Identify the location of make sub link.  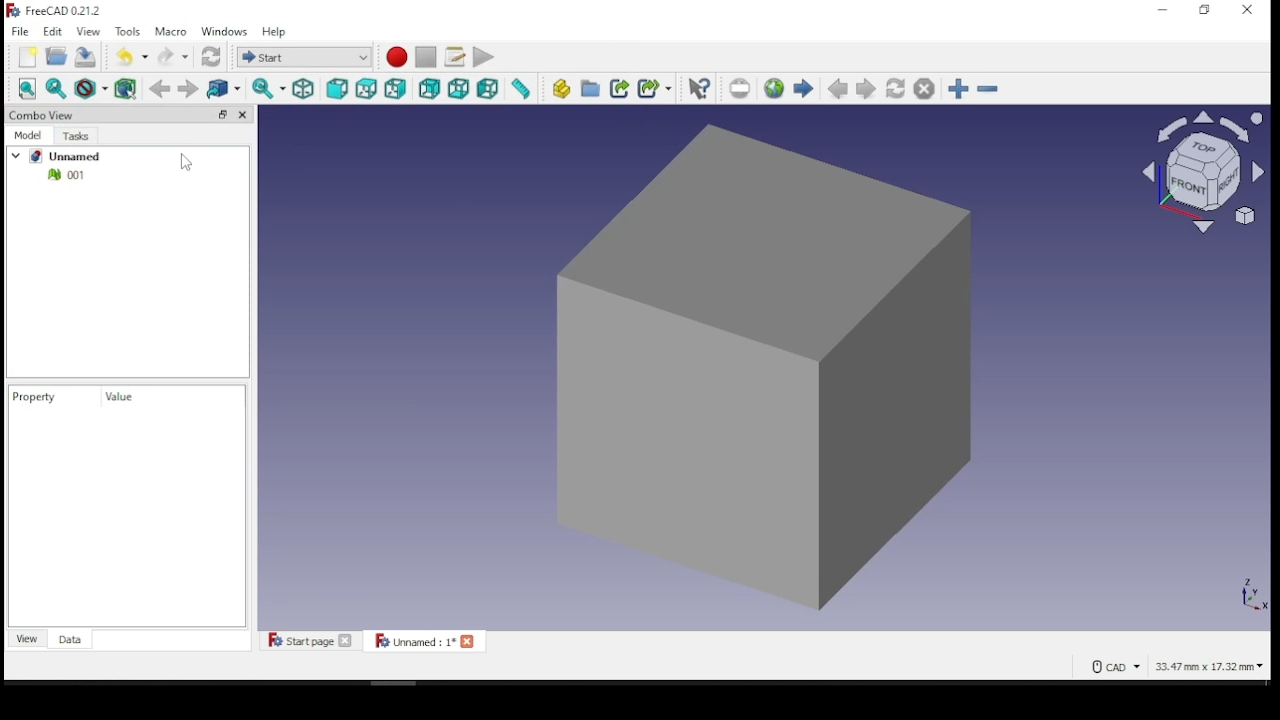
(655, 88).